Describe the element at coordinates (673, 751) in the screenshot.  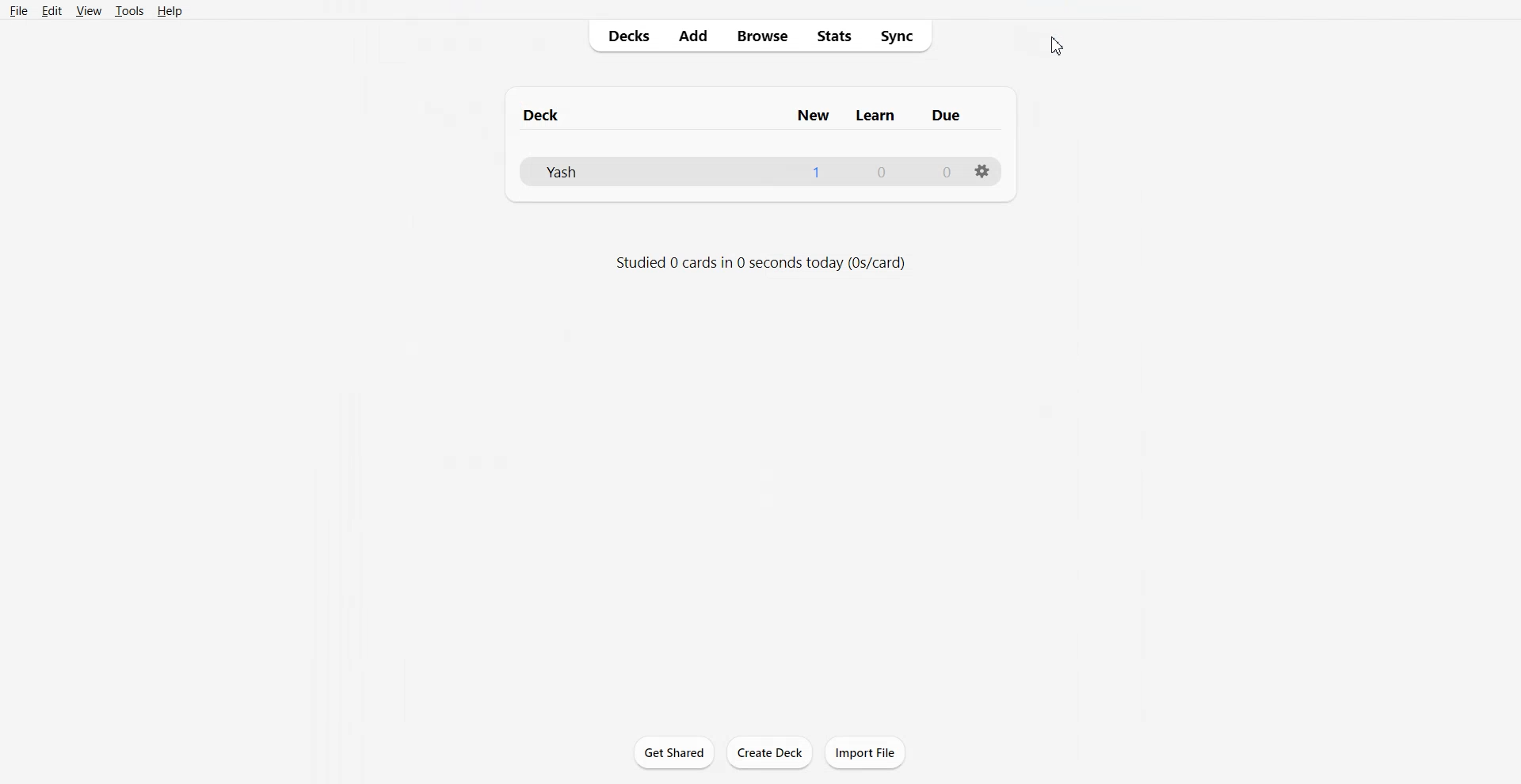
I see `Get shared` at that location.